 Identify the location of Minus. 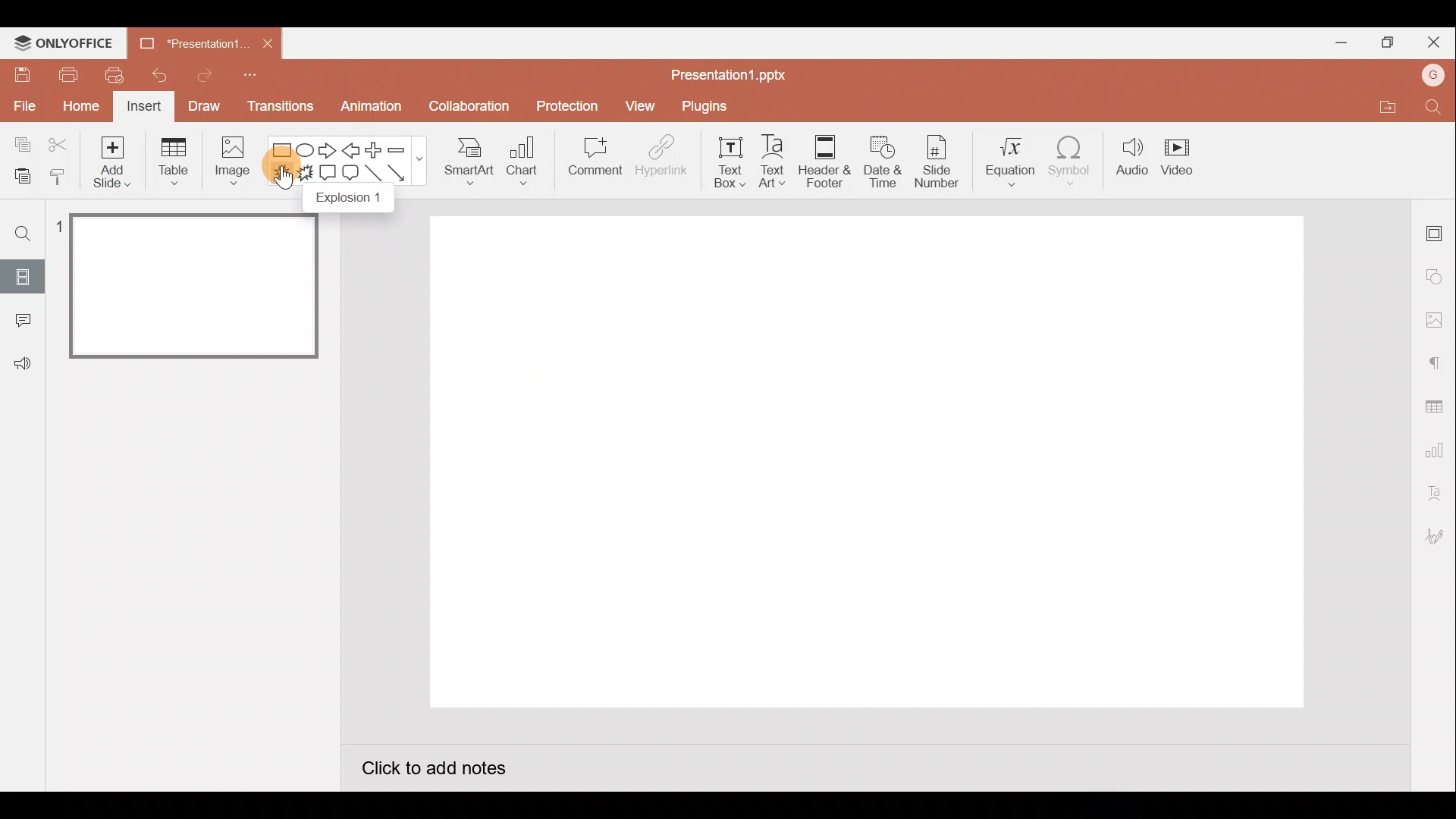
(400, 148).